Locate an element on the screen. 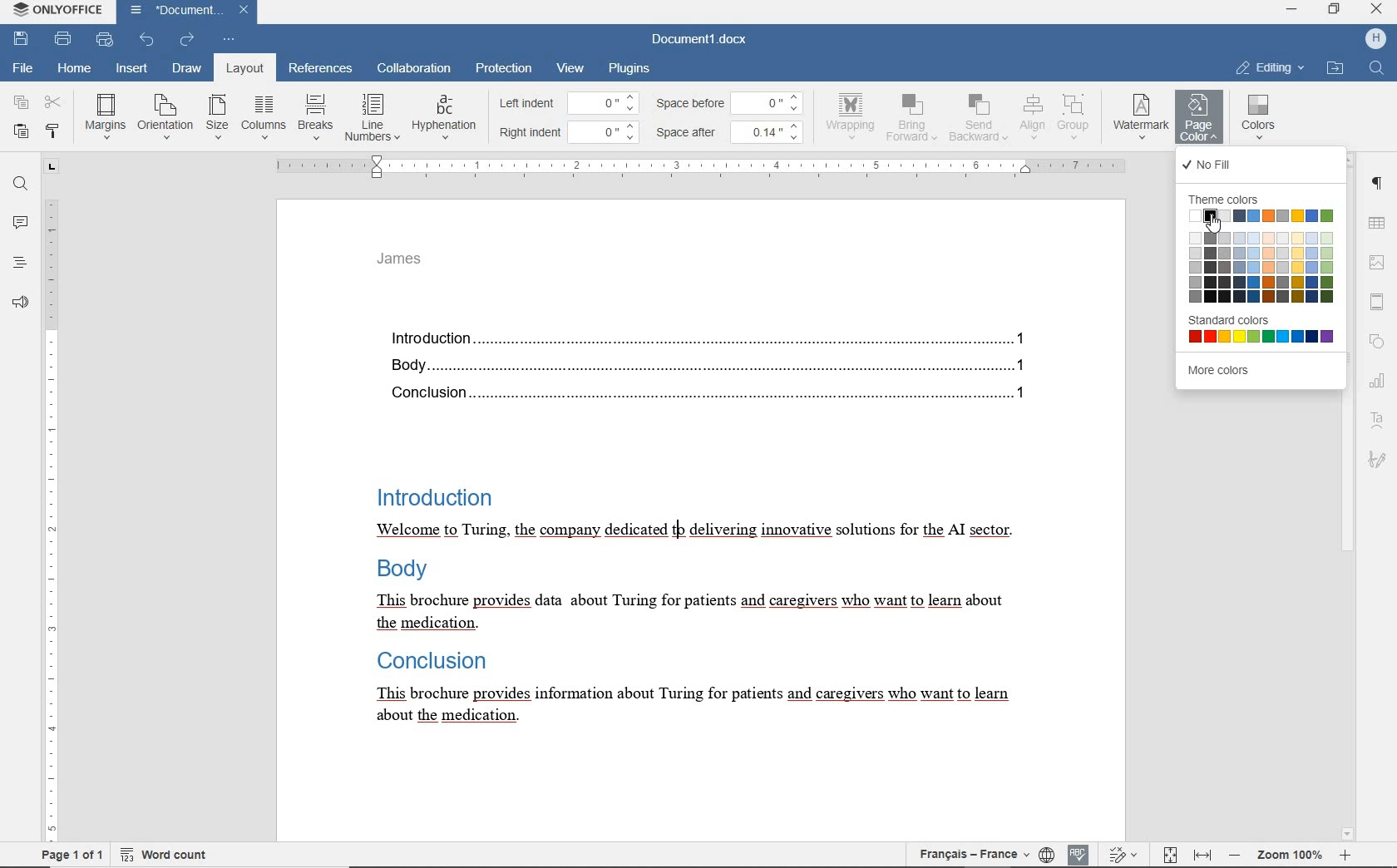 This screenshot has width=1397, height=868. size is located at coordinates (217, 117).